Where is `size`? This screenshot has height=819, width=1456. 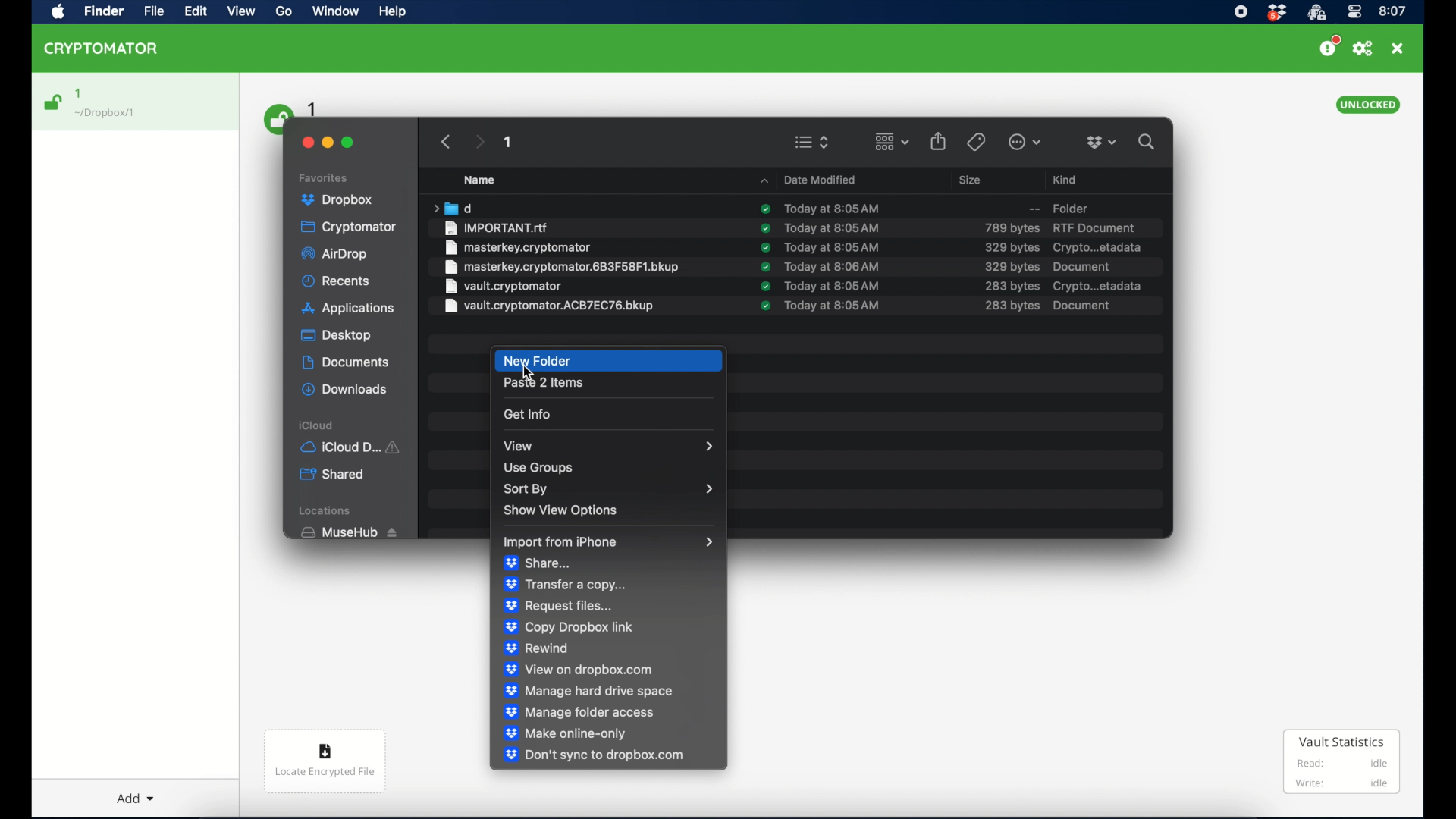 size is located at coordinates (1011, 266).